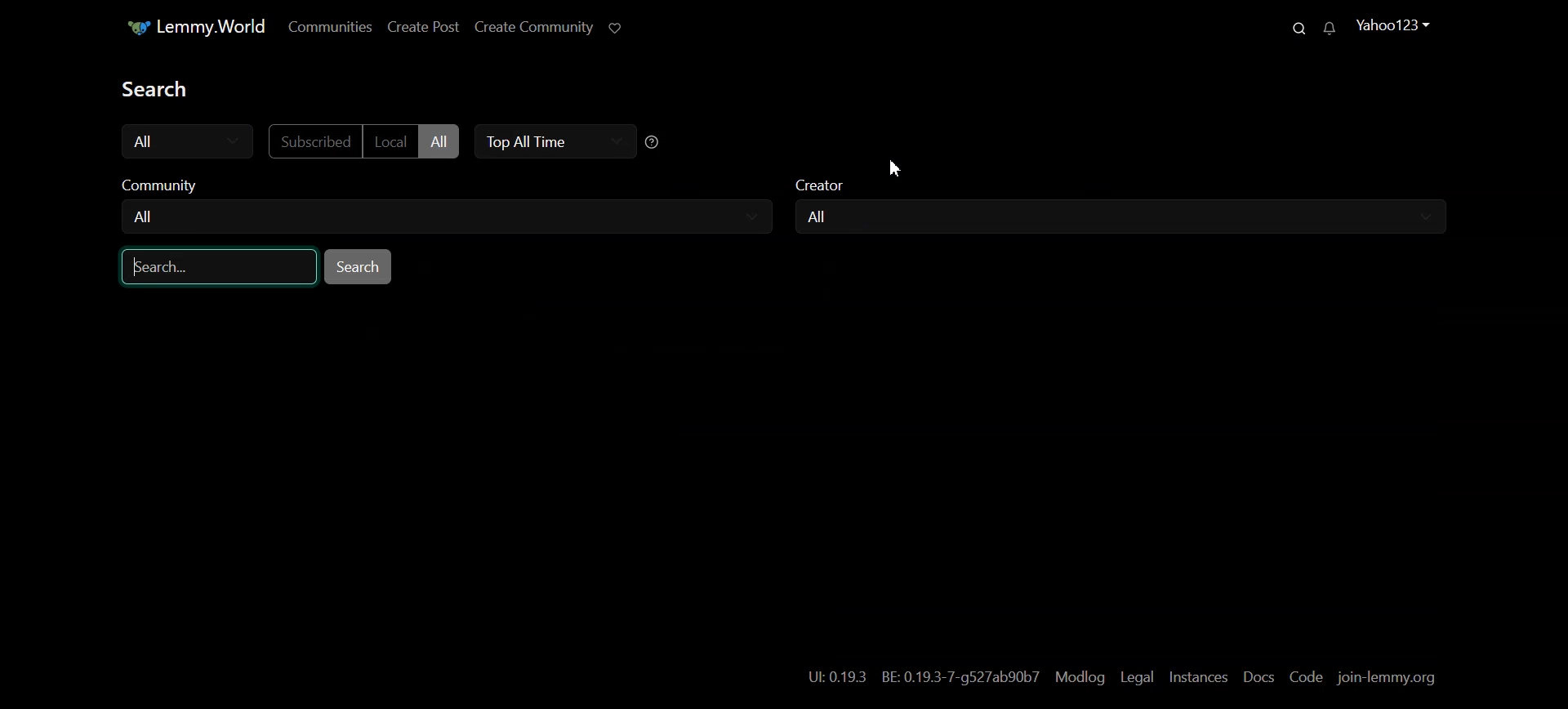  Describe the element at coordinates (313, 141) in the screenshot. I see `Subscribed` at that location.